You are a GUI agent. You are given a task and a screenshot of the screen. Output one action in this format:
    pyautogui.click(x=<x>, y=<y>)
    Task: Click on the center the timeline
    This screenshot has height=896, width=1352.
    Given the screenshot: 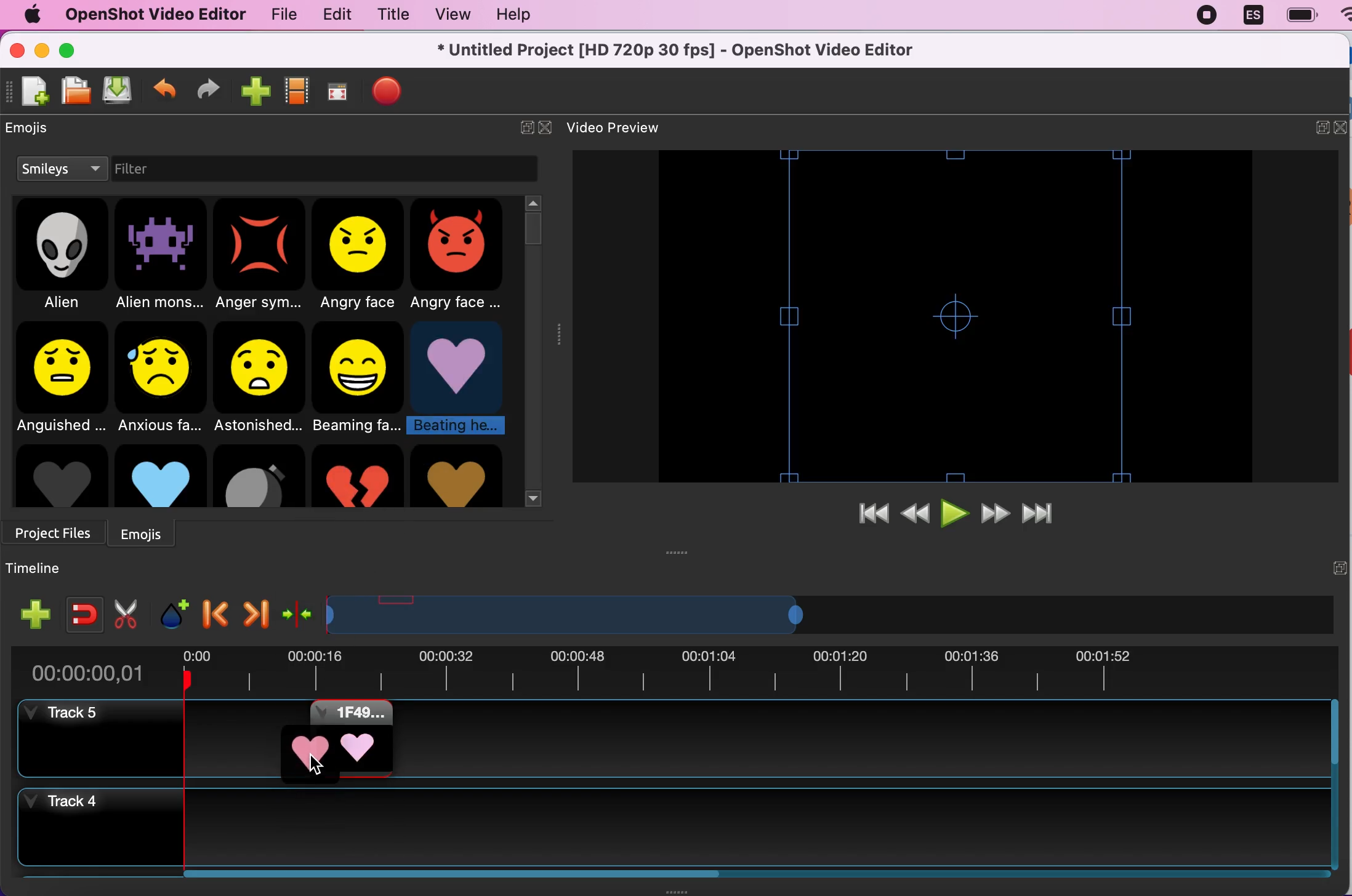 What is the action you would take?
    pyautogui.click(x=298, y=611)
    